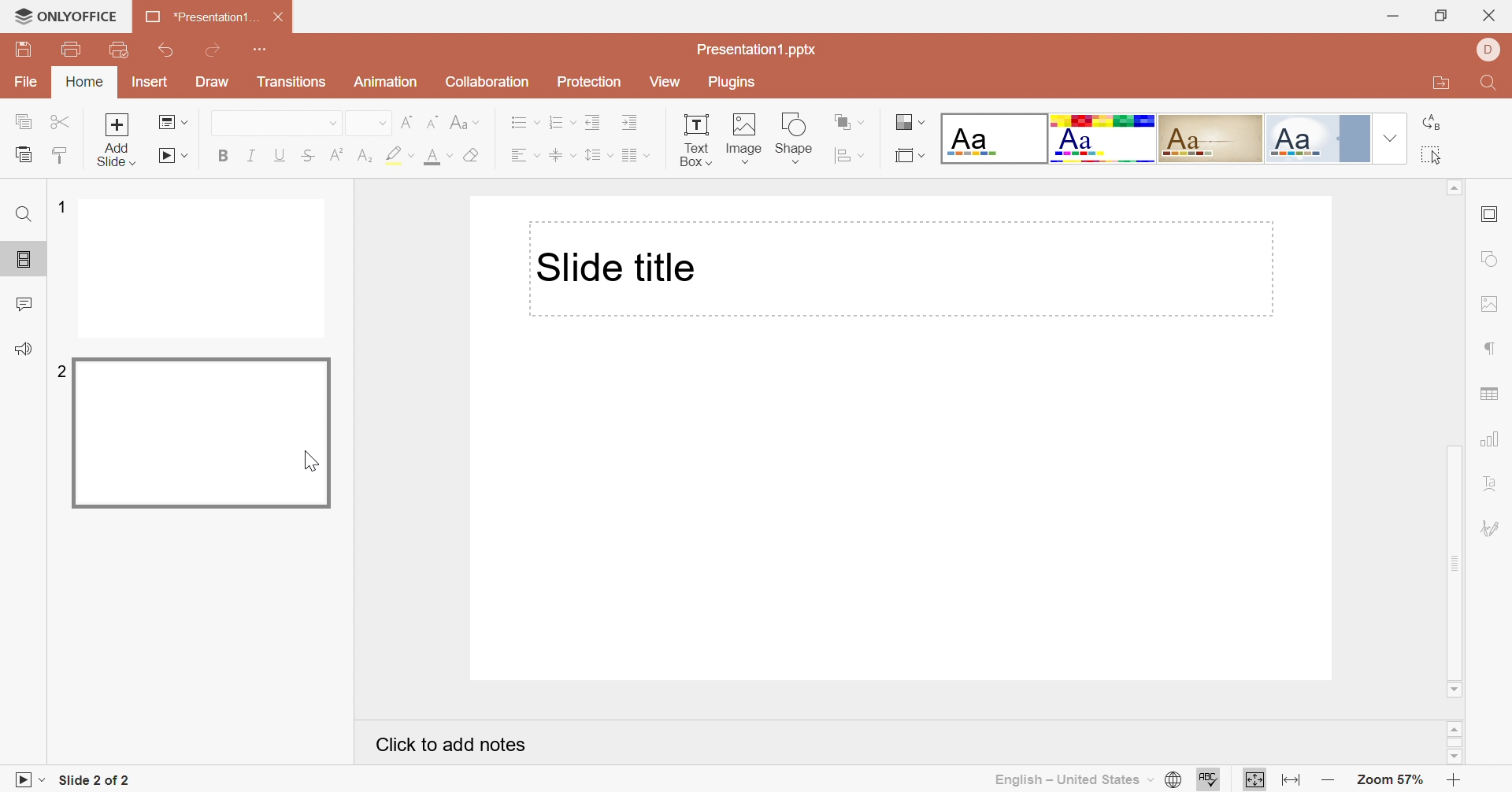 This screenshot has height=792, width=1512. Describe the element at coordinates (204, 434) in the screenshot. I see `Slide 2` at that location.